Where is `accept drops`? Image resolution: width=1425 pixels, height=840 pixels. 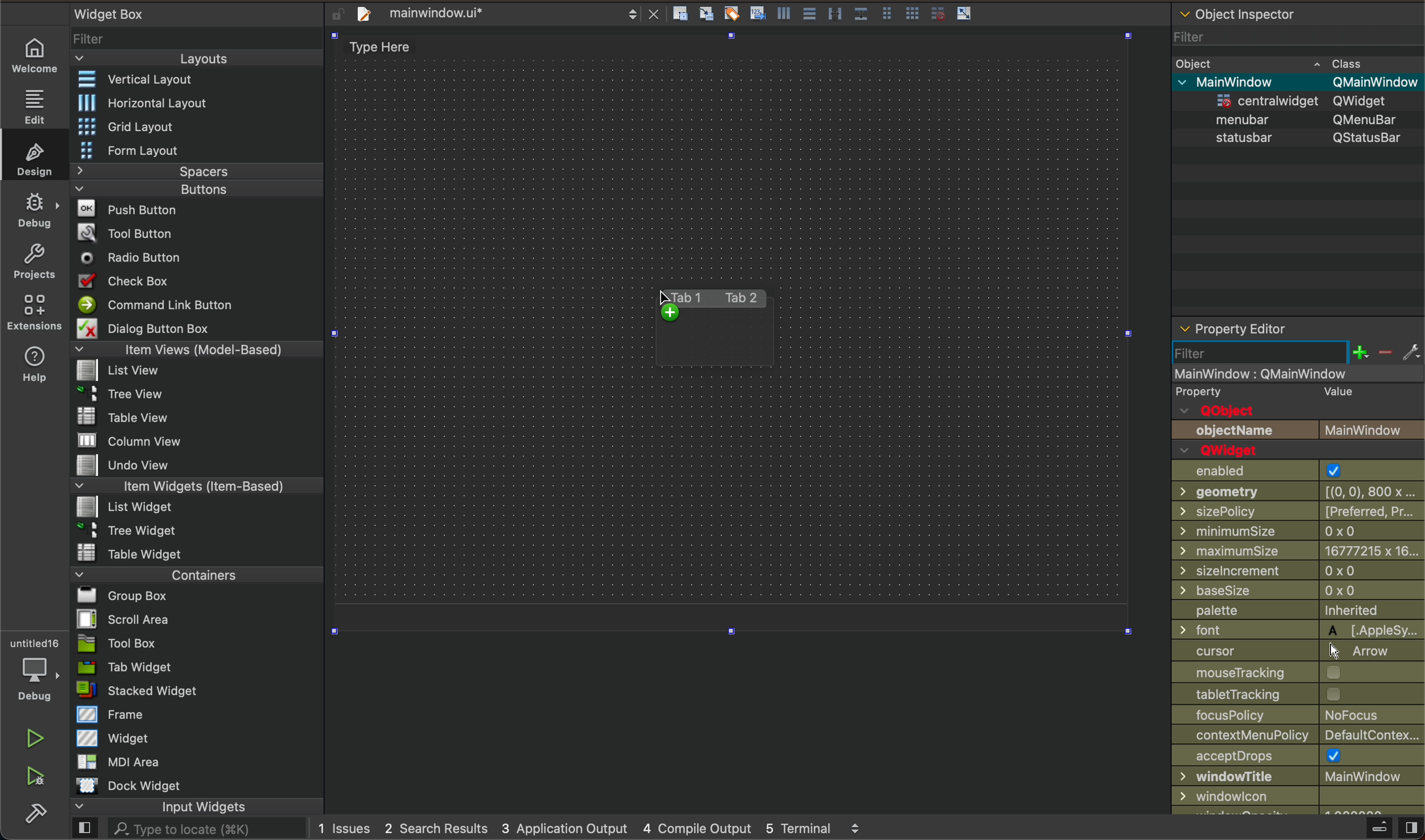 accept drops is located at coordinates (1299, 756).